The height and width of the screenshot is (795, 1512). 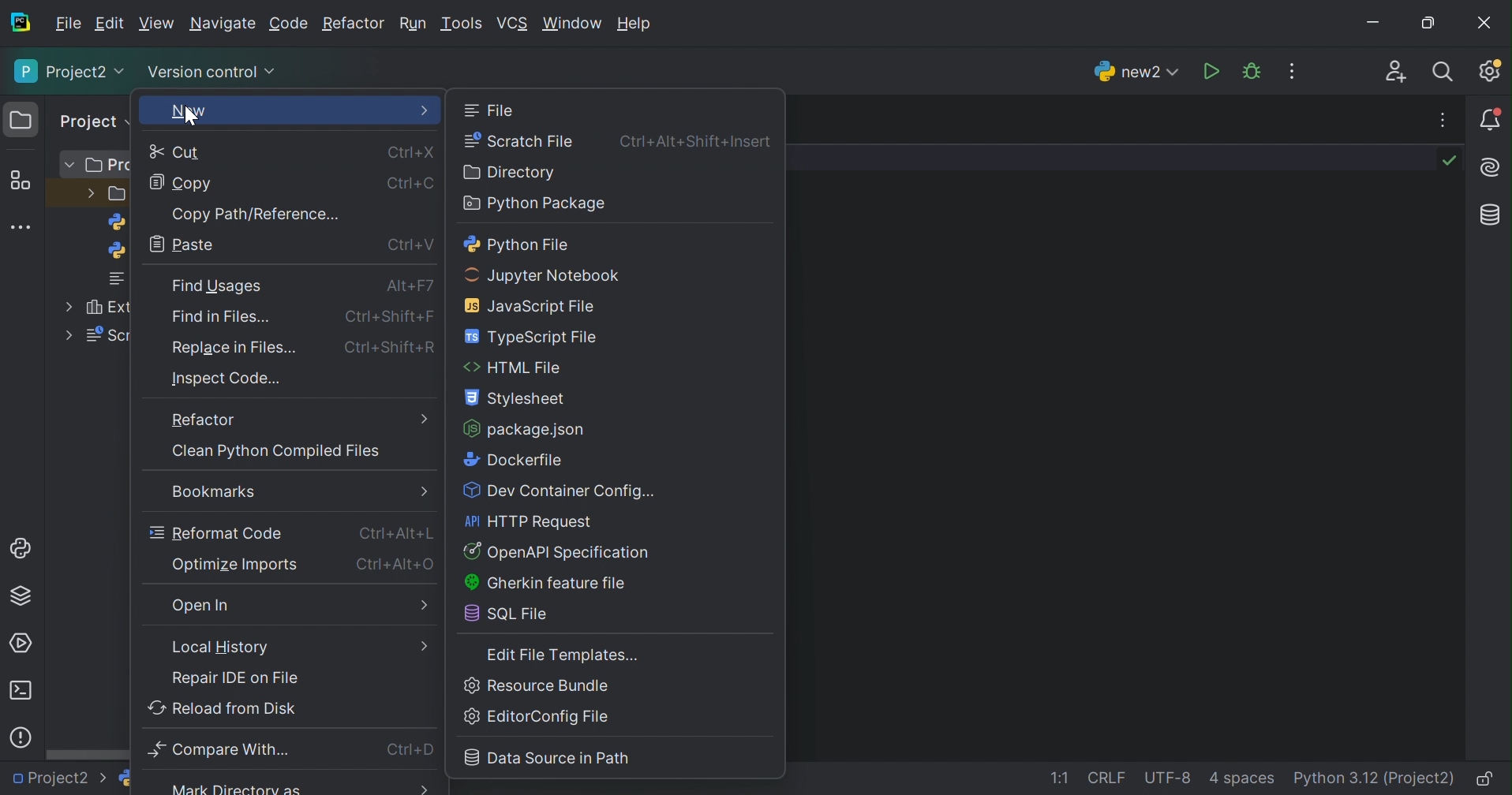 What do you see at coordinates (205, 418) in the screenshot?
I see `Refactor` at bounding box center [205, 418].